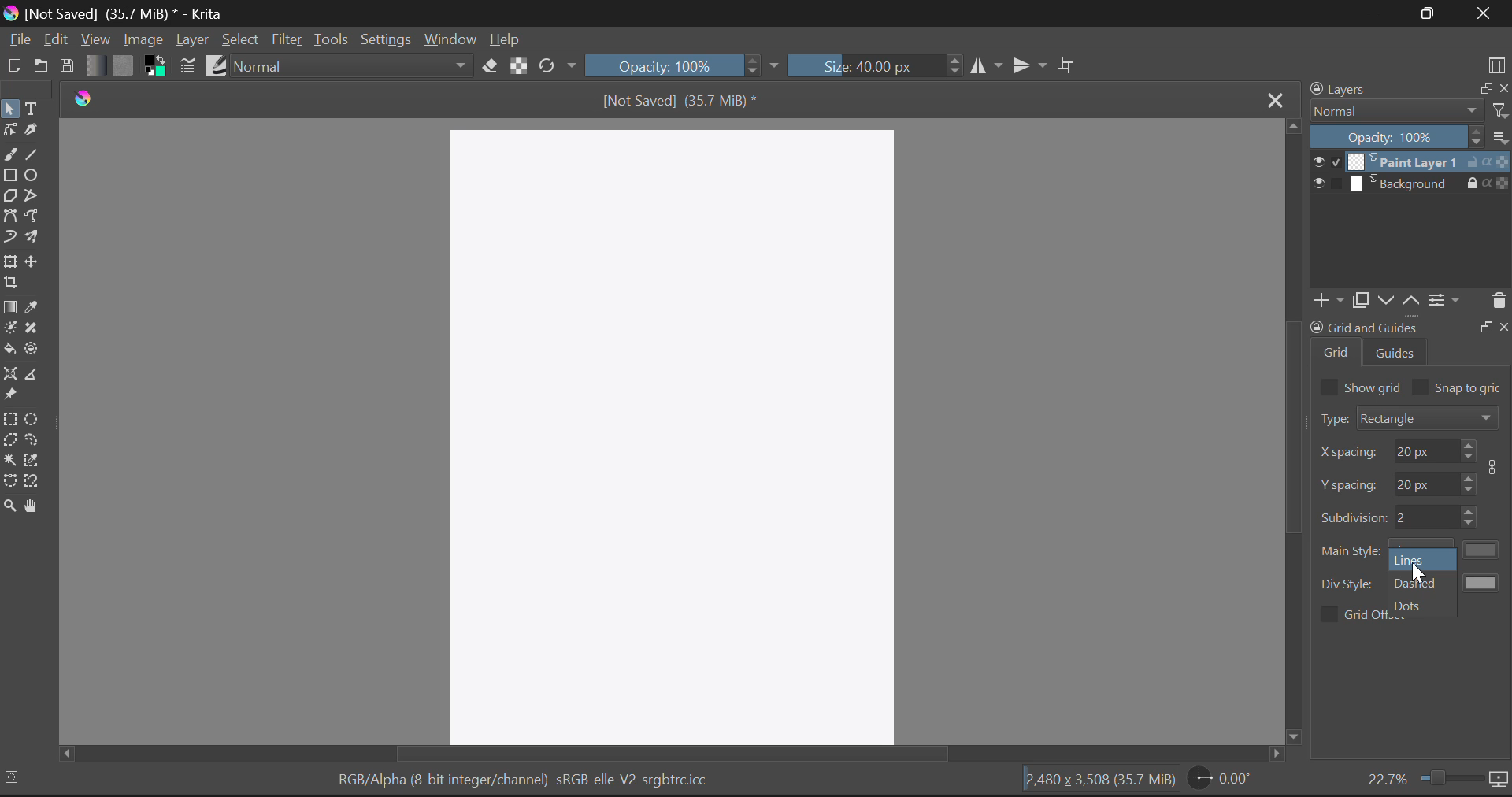  I want to click on Blending Mode, so click(354, 65).